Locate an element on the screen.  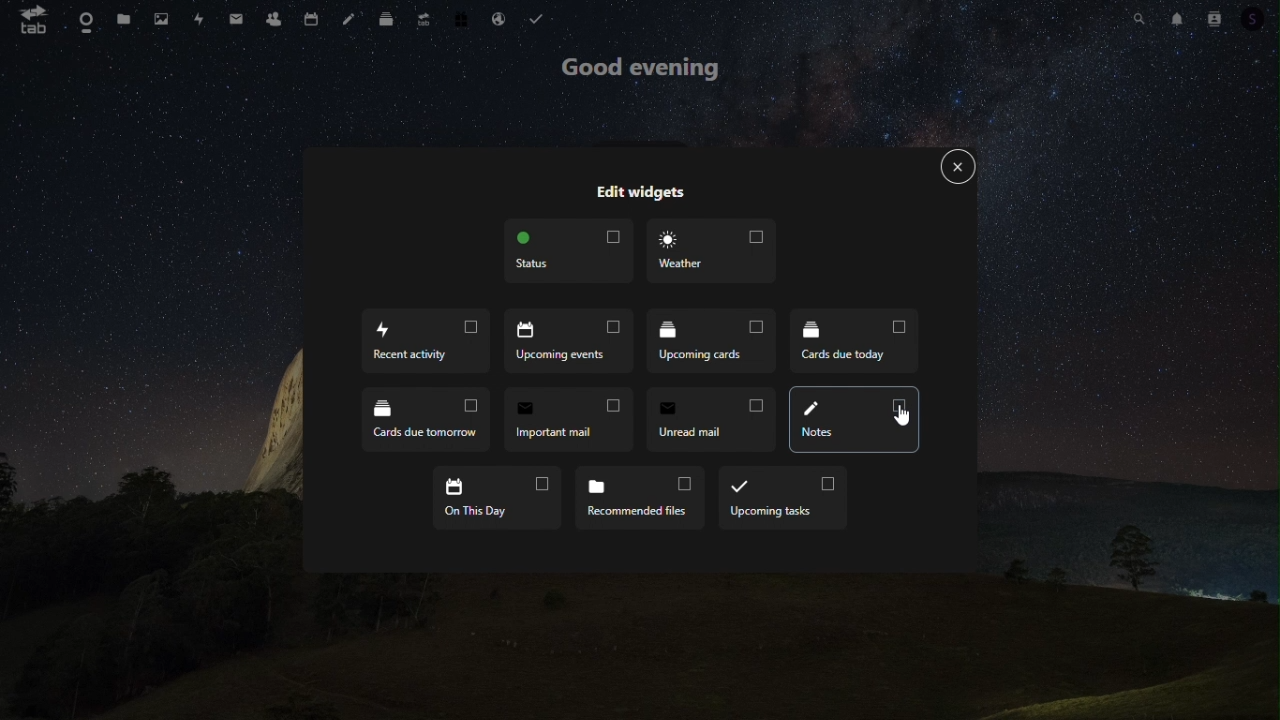
Close  is located at coordinates (957, 169).